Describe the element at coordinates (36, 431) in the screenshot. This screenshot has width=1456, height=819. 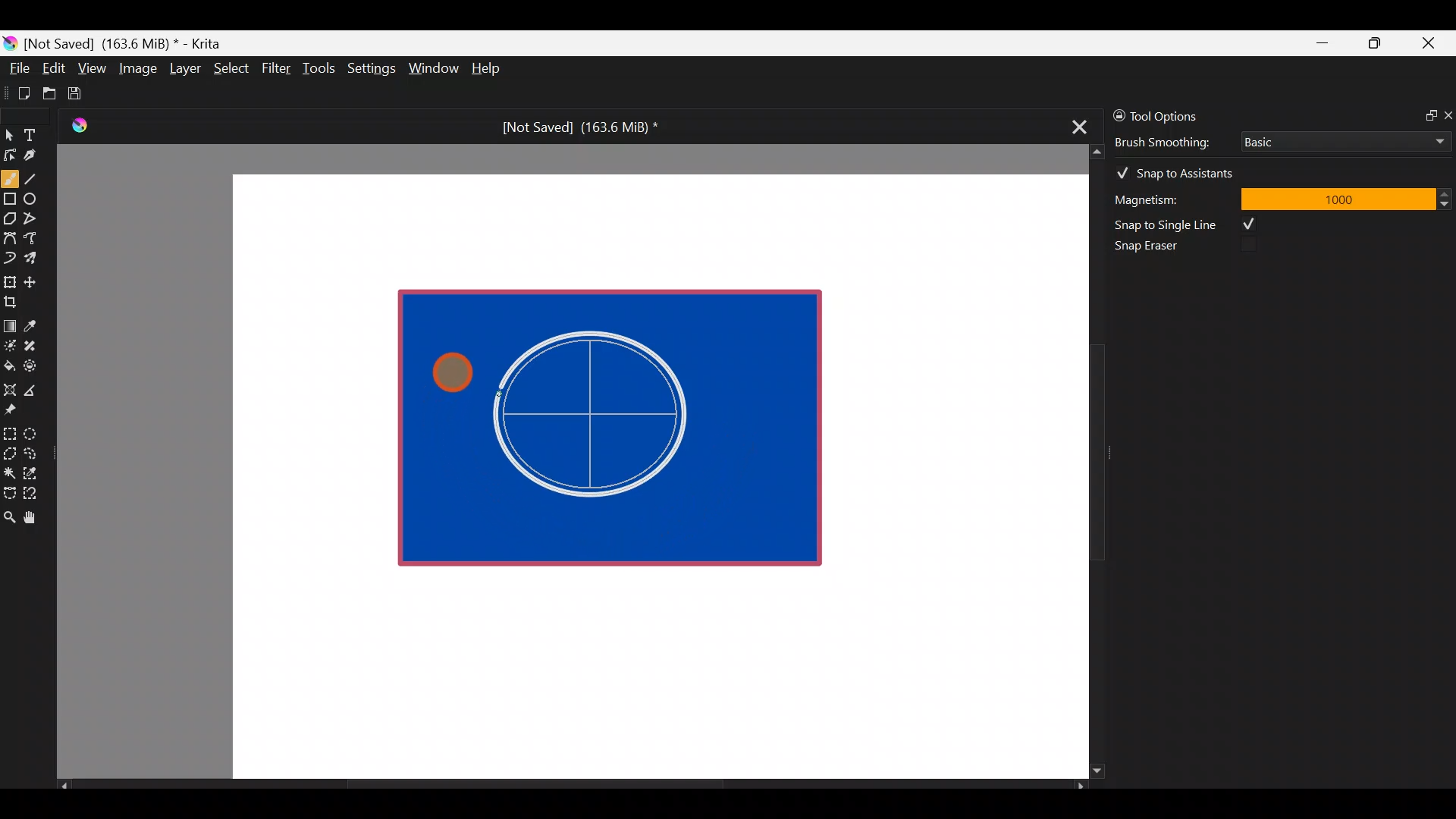
I see `Elliptical selection tool` at that location.